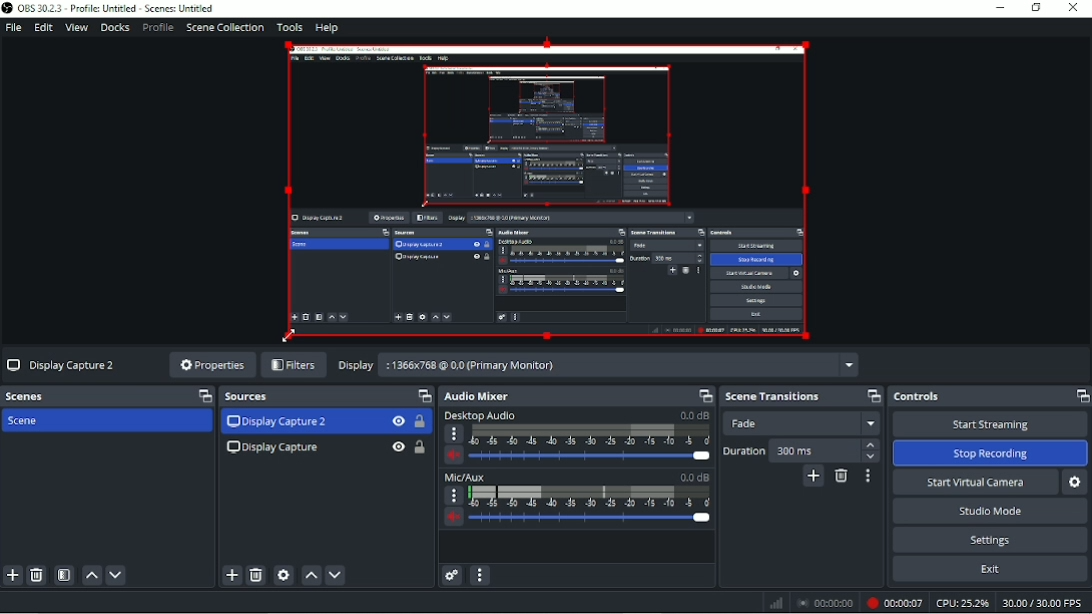 This screenshot has height=614, width=1092. I want to click on CPU: 25.2%, so click(961, 603).